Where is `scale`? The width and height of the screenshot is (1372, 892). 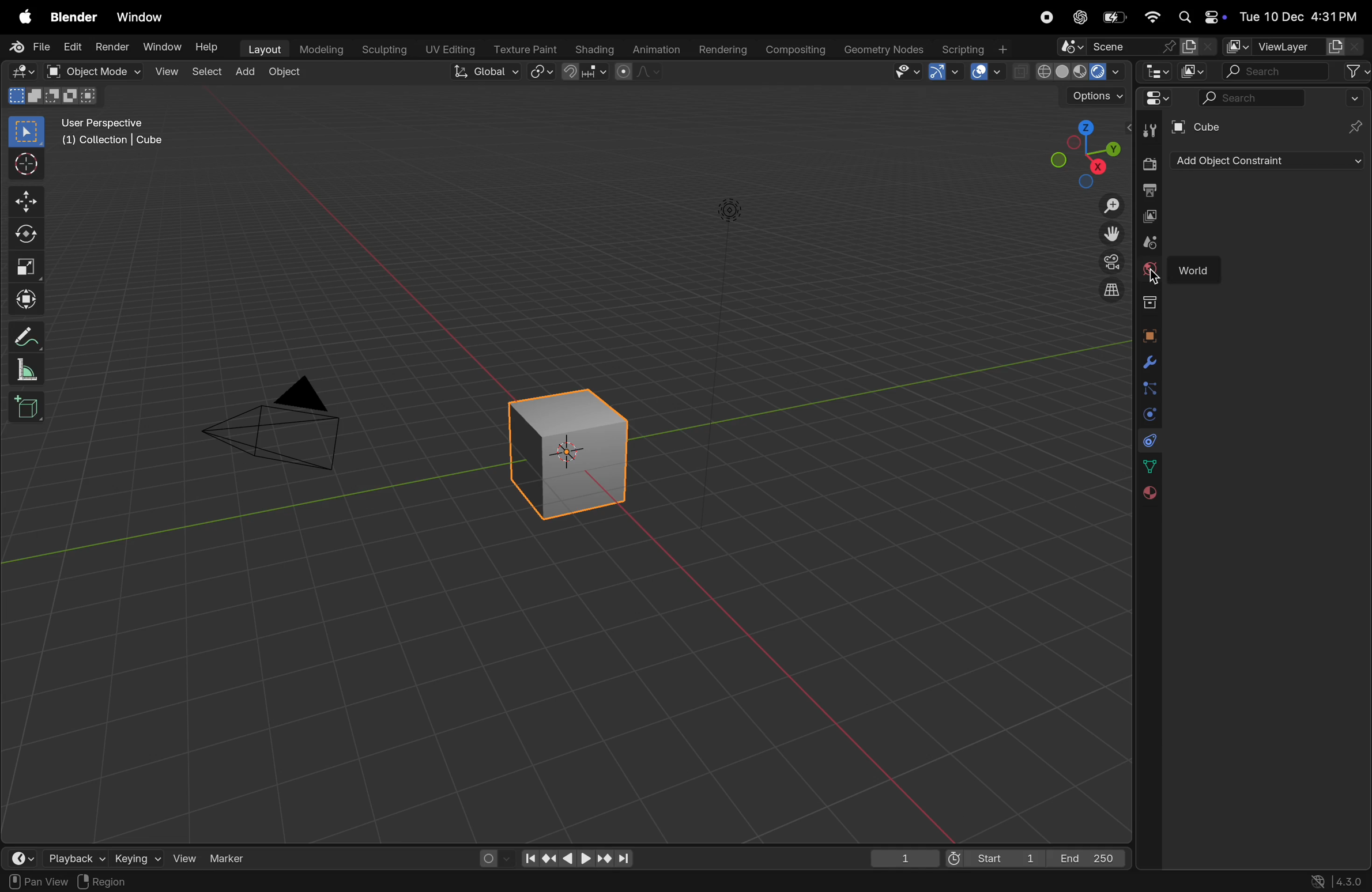
scale is located at coordinates (31, 369).